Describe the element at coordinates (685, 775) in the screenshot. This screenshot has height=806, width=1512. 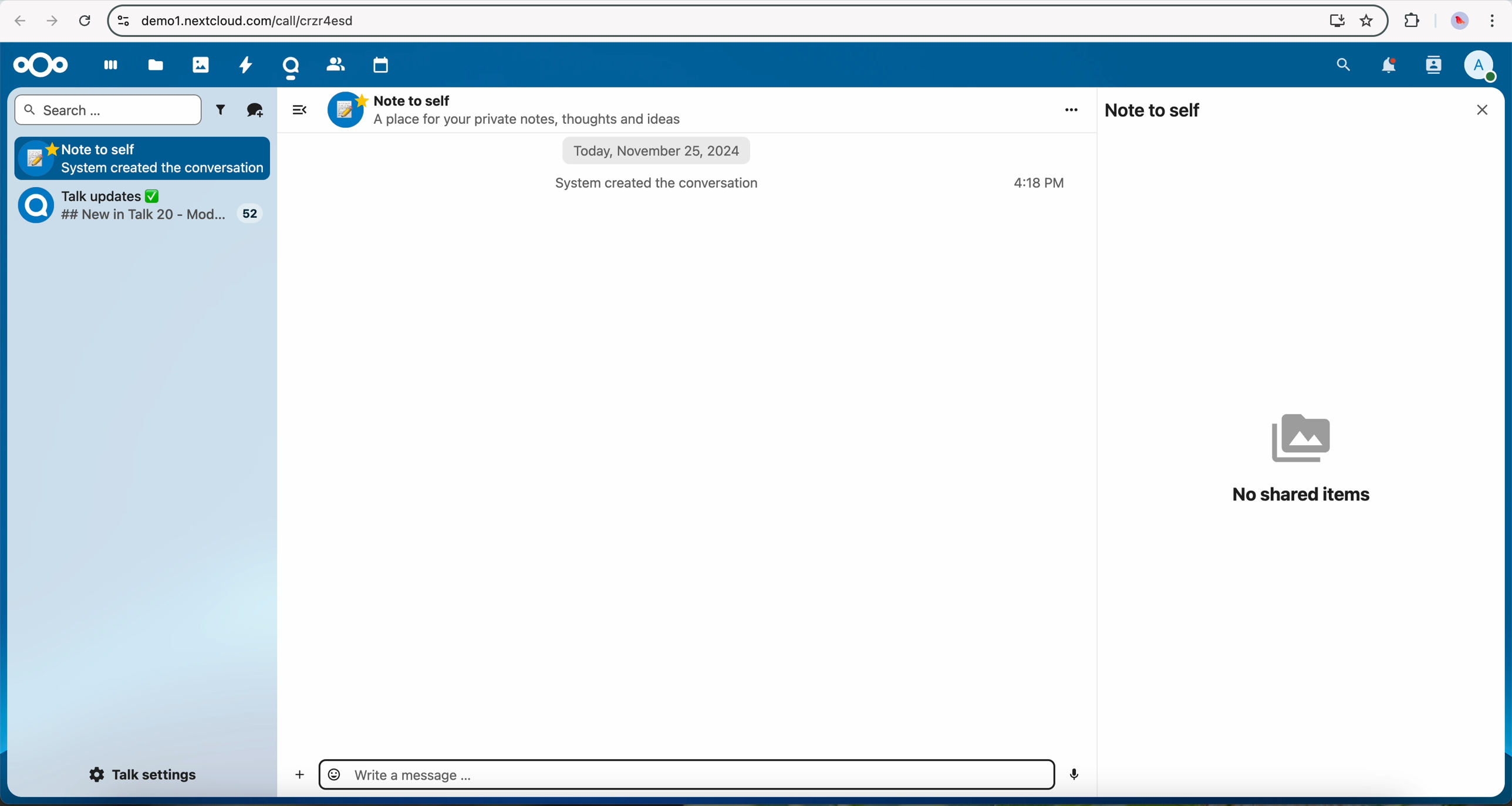
I see `type a message` at that location.